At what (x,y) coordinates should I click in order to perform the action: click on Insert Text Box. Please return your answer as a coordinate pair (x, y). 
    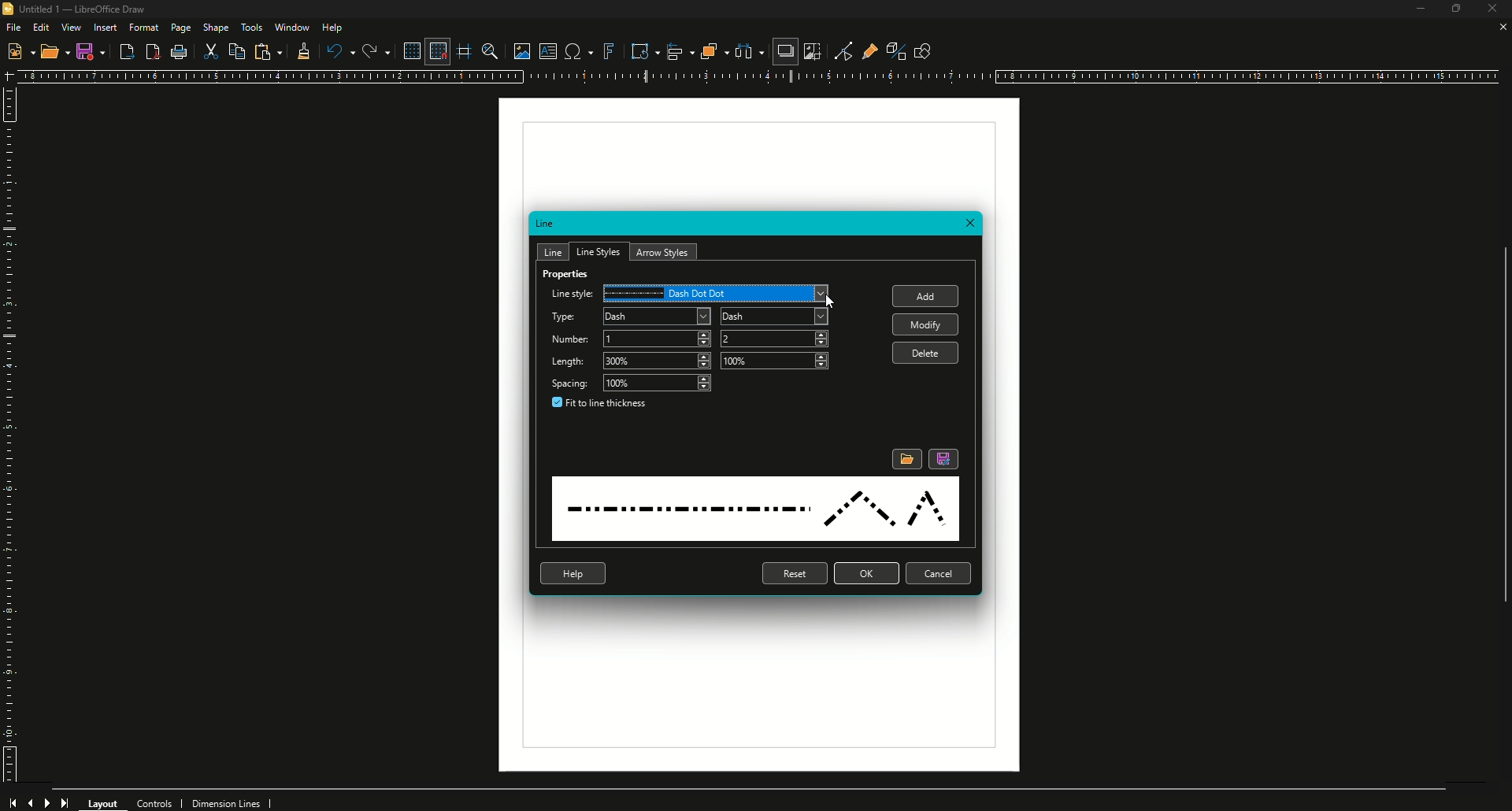
    Looking at the image, I should click on (546, 51).